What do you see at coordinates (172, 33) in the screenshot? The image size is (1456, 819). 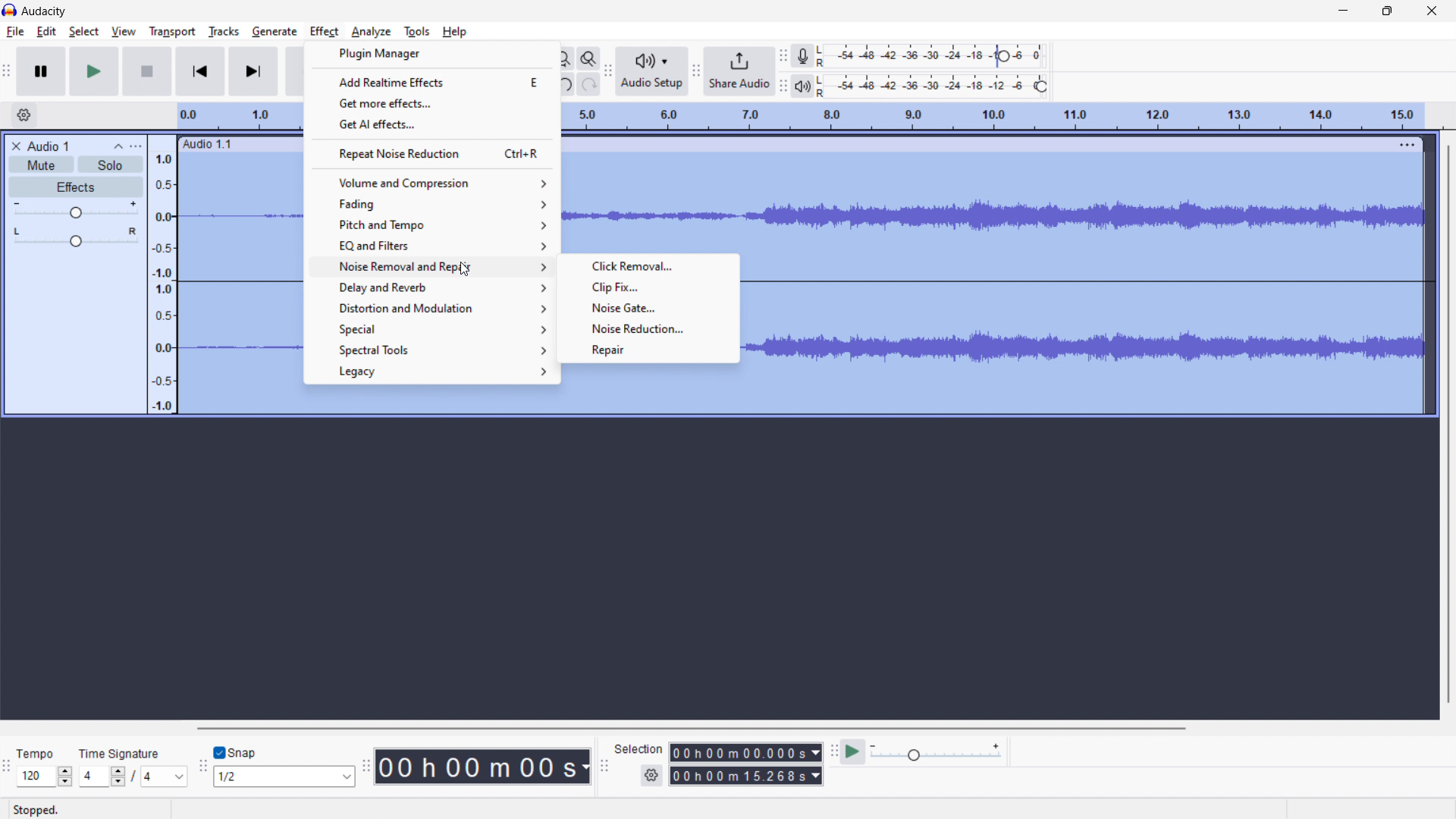 I see `transport` at bounding box center [172, 33].